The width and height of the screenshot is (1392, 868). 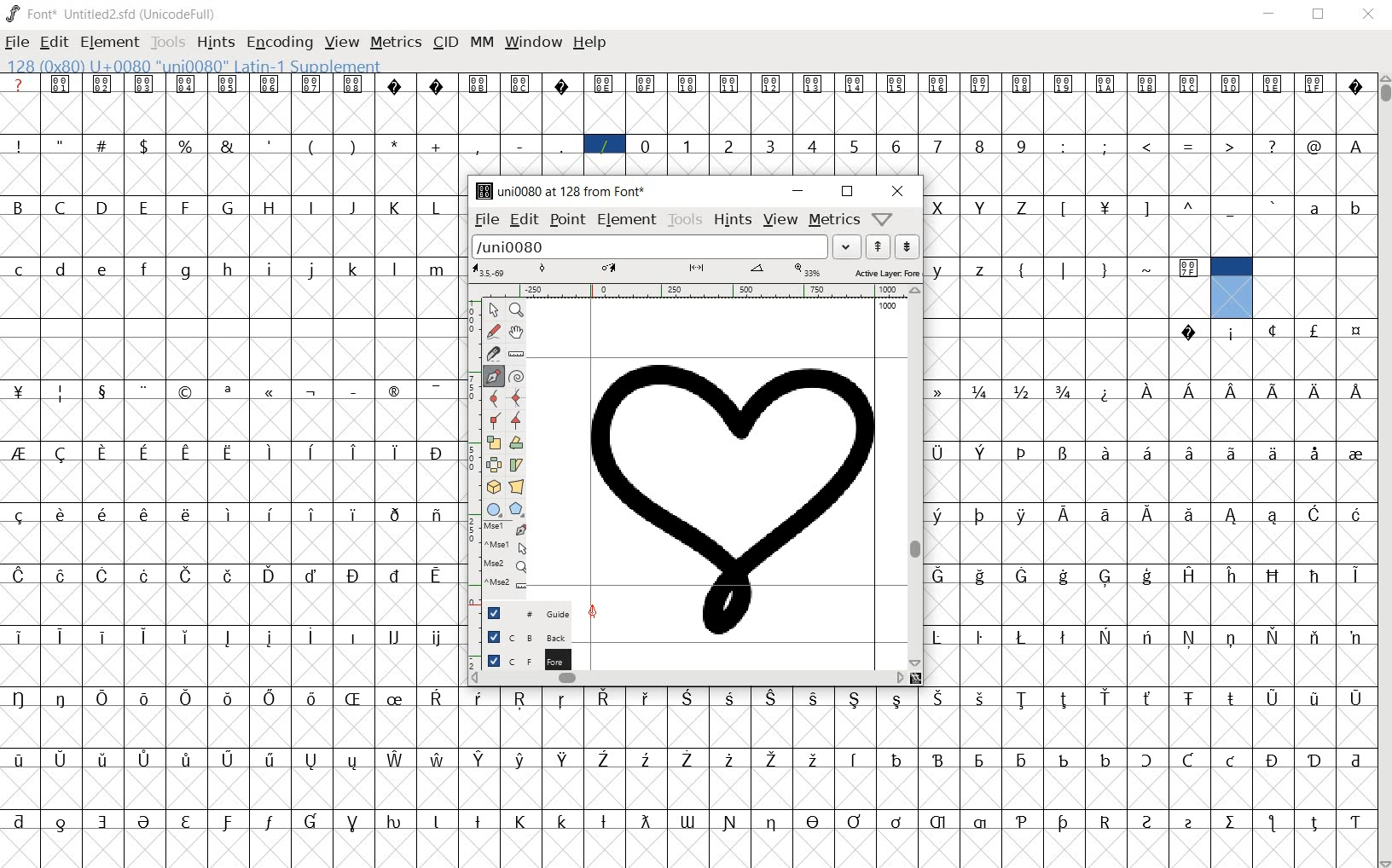 I want to click on glyph, so click(x=981, y=208).